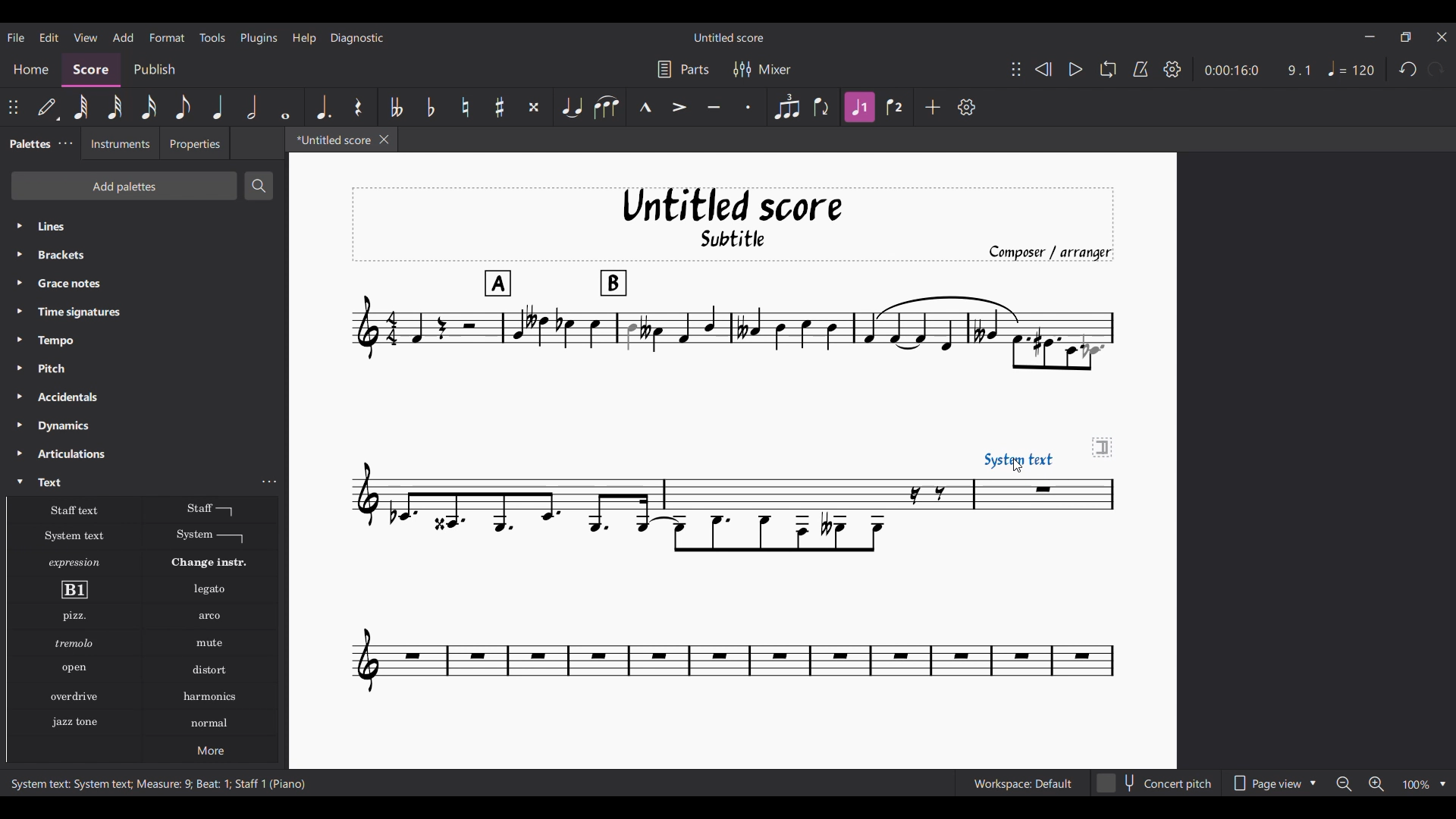 Image resolution: width=1456 pixels, height=819 pixels. What do you see at coordinates (499, 107) in the screenshot?
I see `Toggle sharp` at bounding box center [499, 107].